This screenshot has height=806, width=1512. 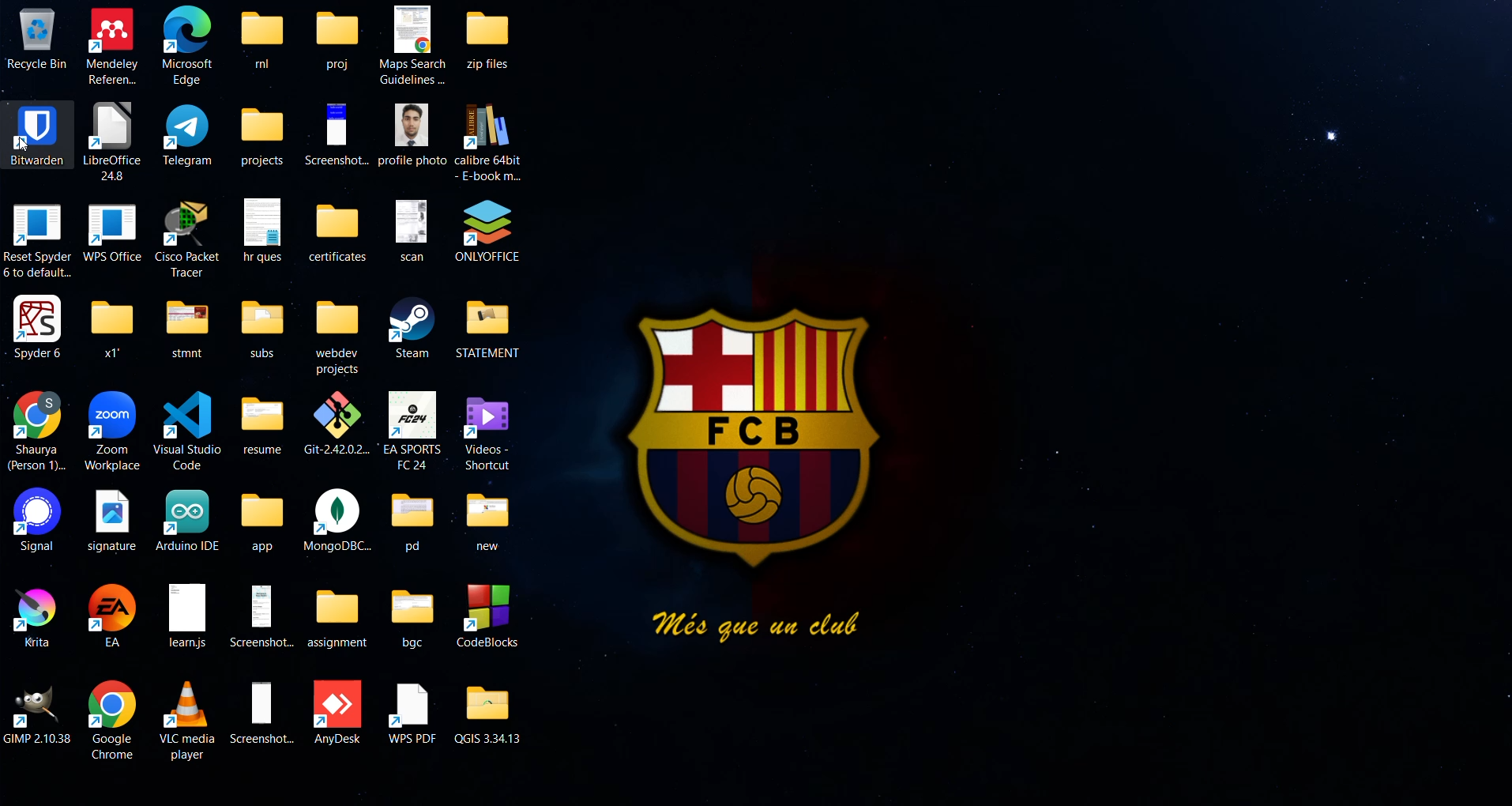 I want to click on Google Chrome, so click(x=111, y=720).